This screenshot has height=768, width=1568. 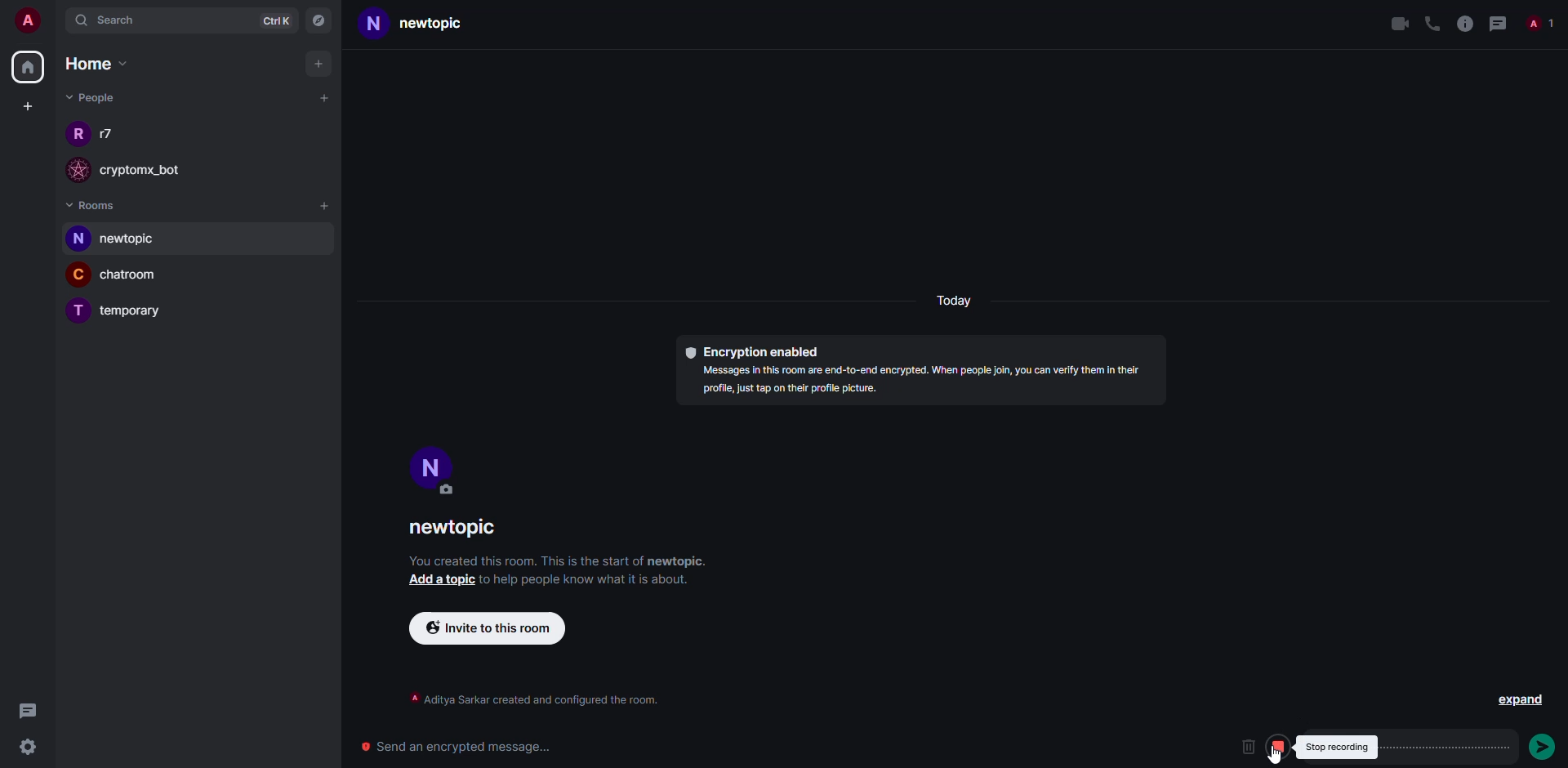 What do you see at coordinates (755, 353) in the screenshot?
I see `encryption enabled` at bounding box center [755, 353].